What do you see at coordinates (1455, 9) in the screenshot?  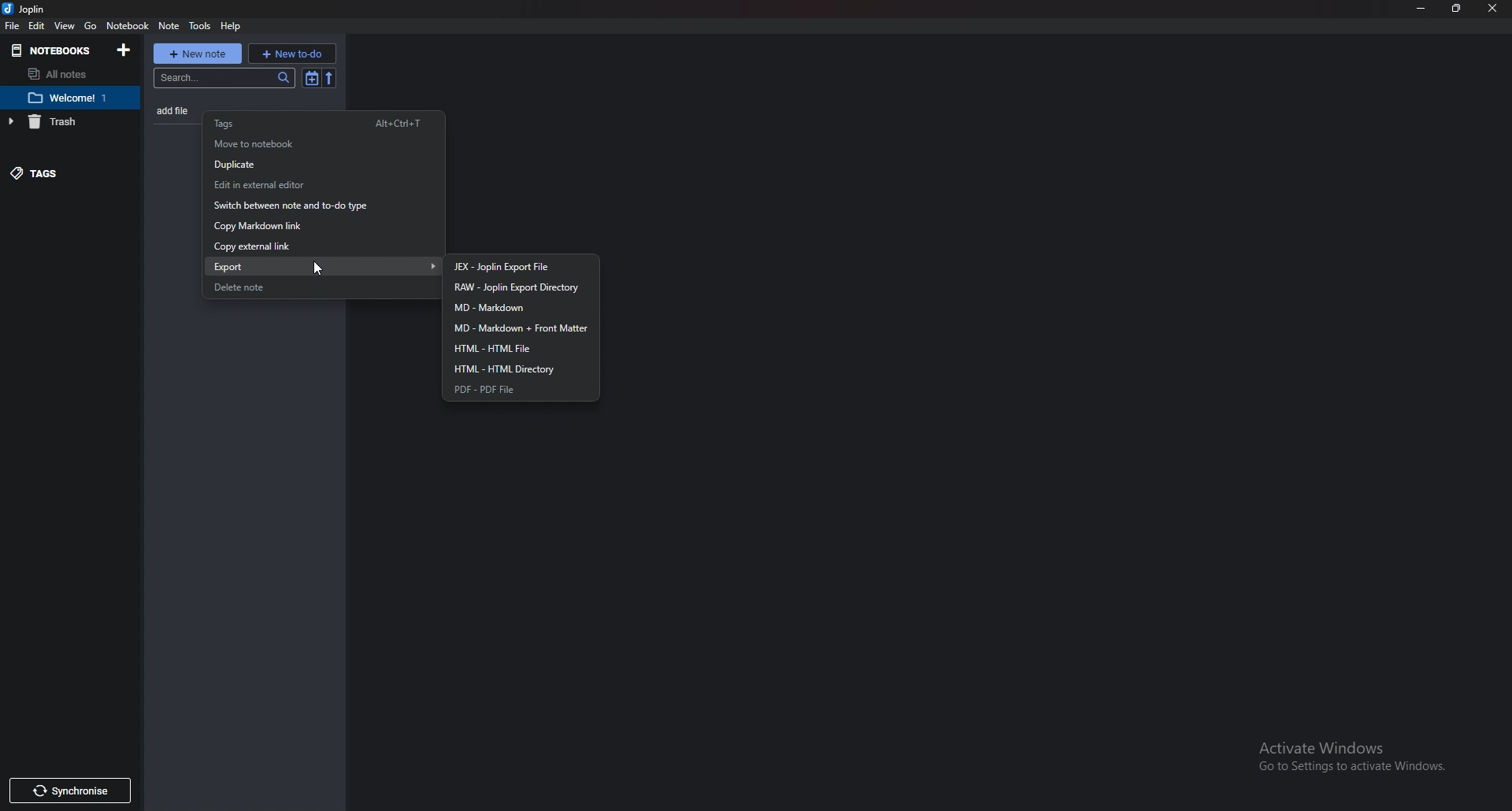 I see `Resize` at bounding box center [1455, 9].